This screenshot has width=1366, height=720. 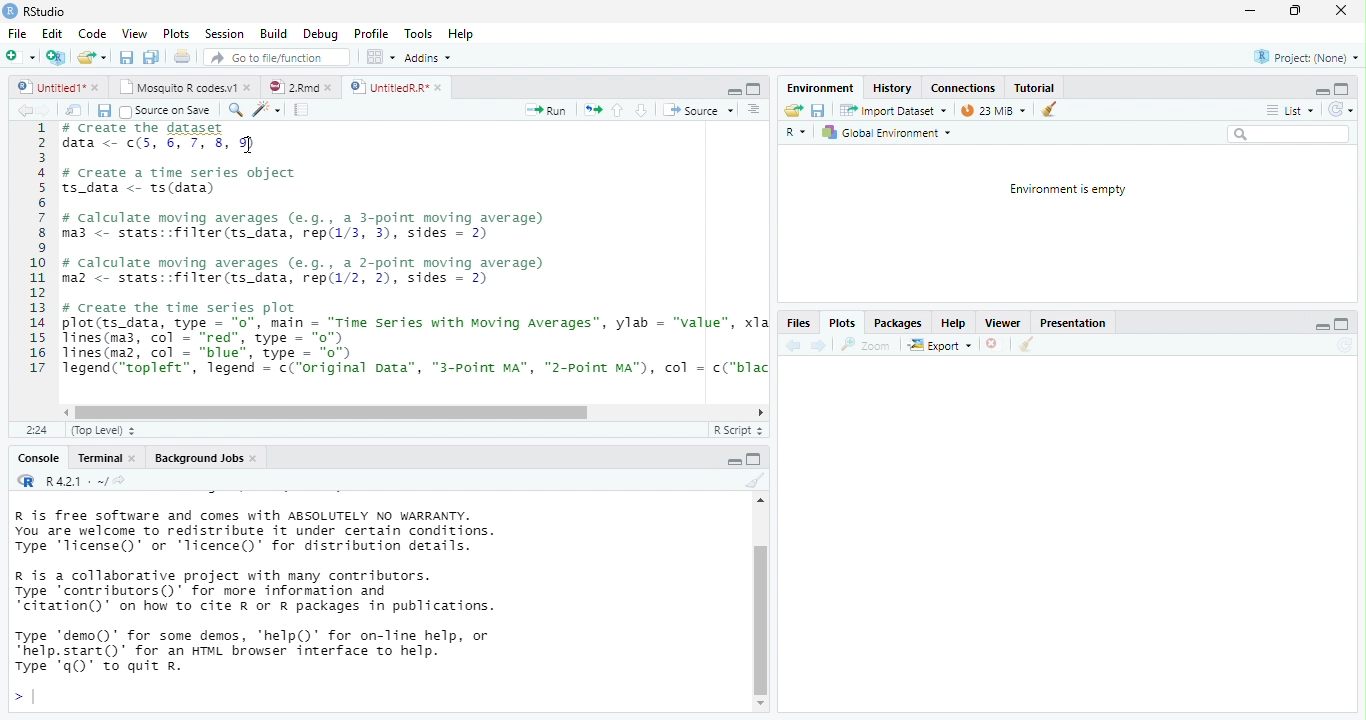 What do you see at coordinates (886, 133) in the screenshot?
I see `Global Environment` at bounding box center [886, 133].